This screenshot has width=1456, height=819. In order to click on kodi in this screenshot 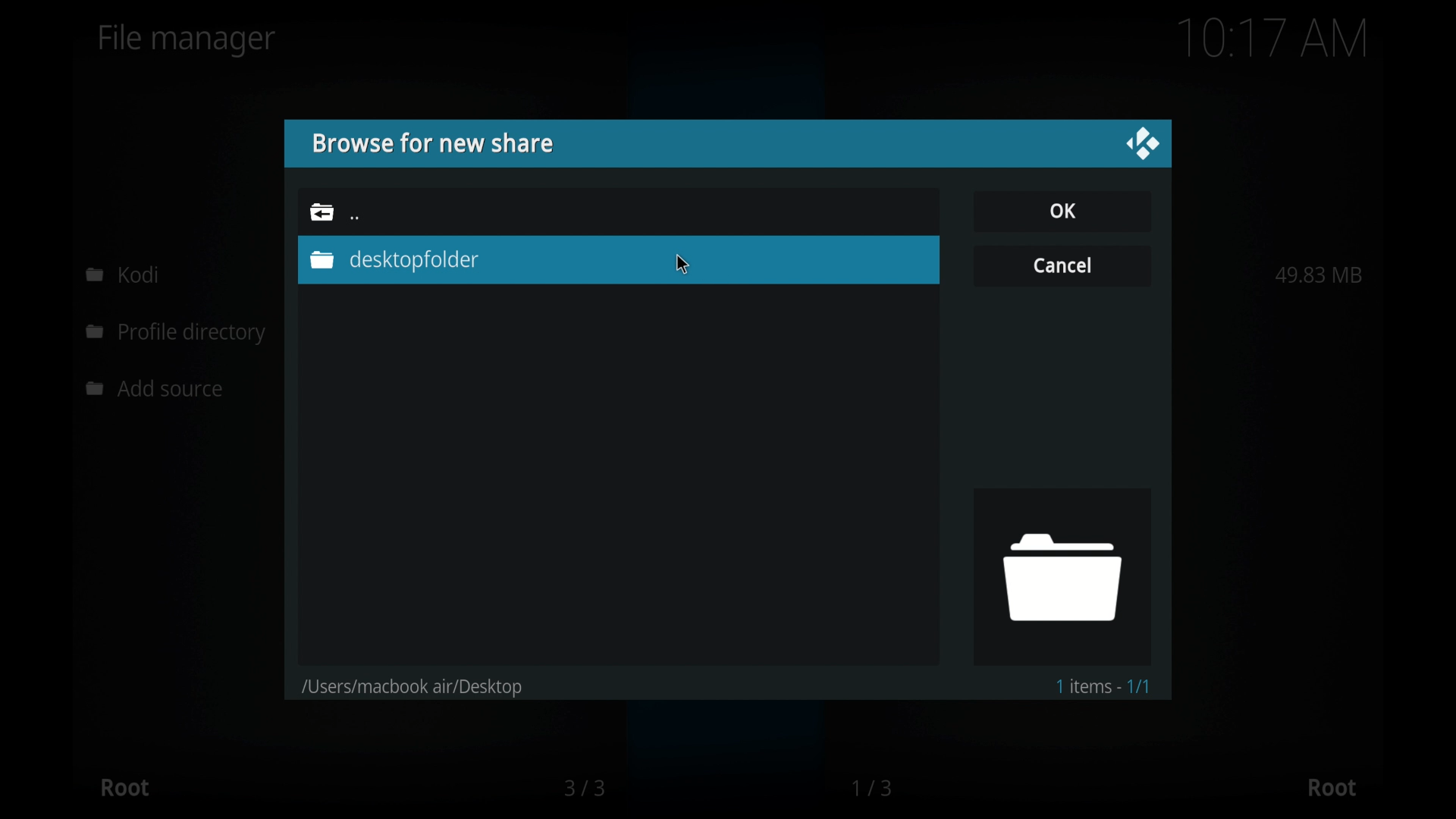, I will do `click(123, 274)`.